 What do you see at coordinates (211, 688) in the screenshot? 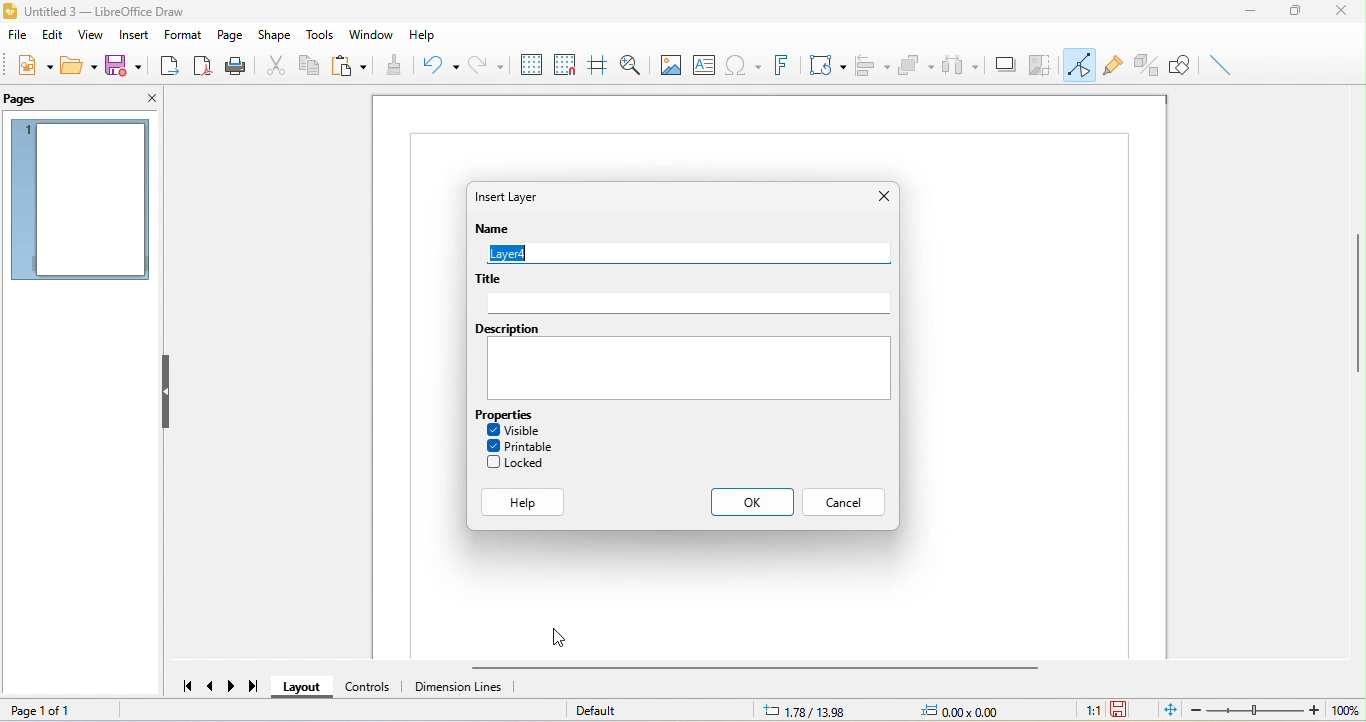
I see `previous page` at bounding box center [211, 688].